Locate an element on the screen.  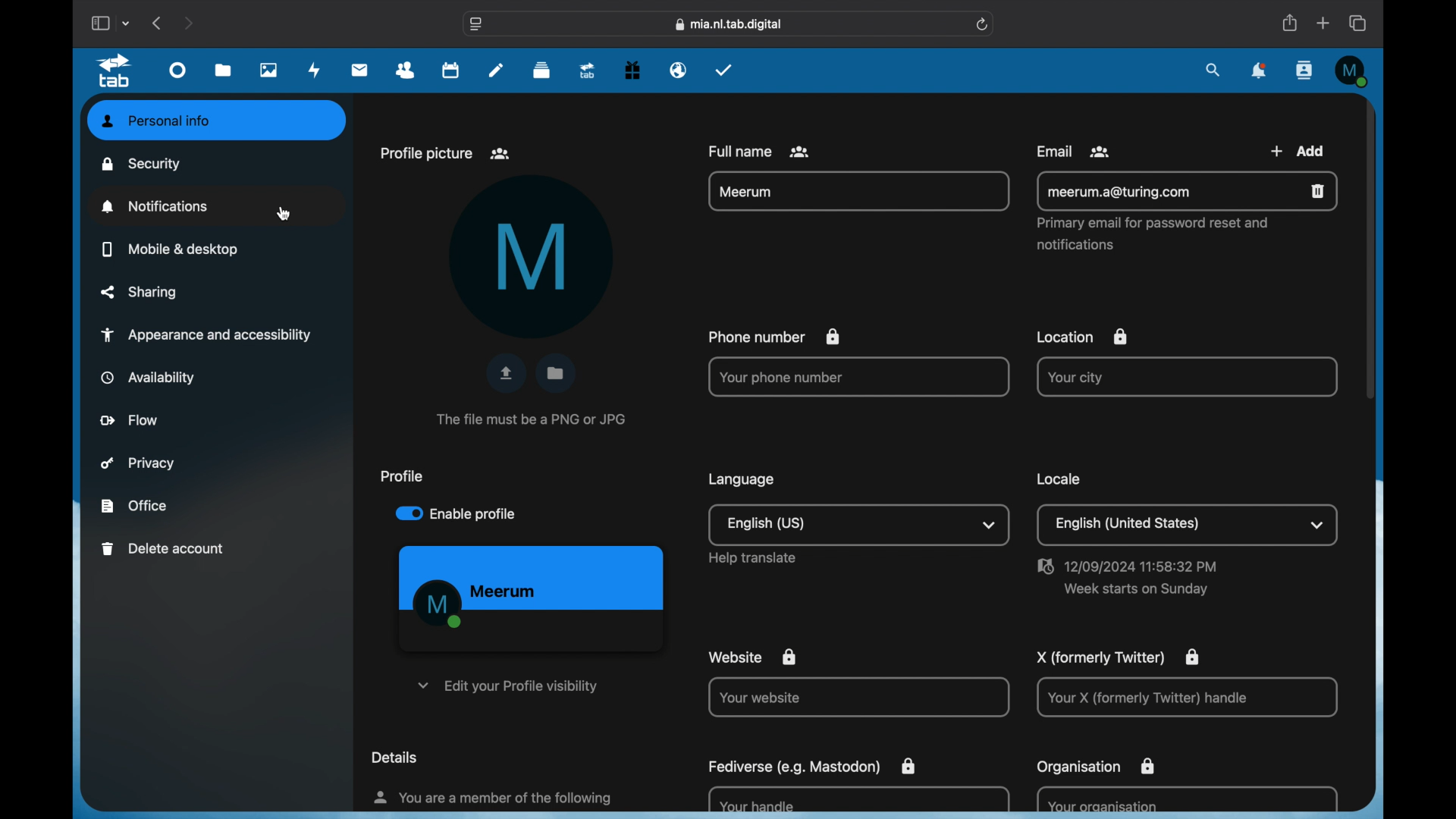
tab group picker is located at coordinates (127, 23).